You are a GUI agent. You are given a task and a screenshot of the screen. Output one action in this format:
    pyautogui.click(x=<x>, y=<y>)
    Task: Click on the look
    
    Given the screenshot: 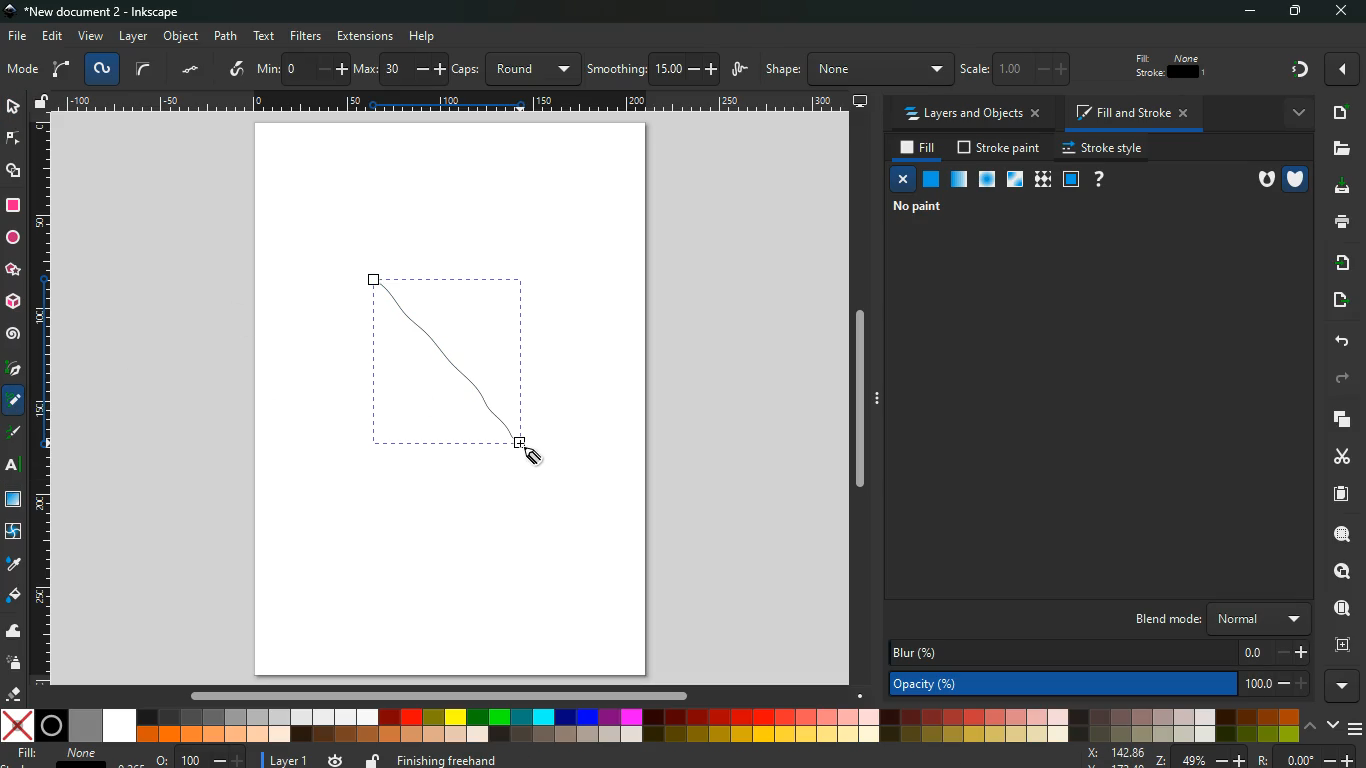 What is the action you would take?
    pyautogui.click(x=1341, y=571)
    